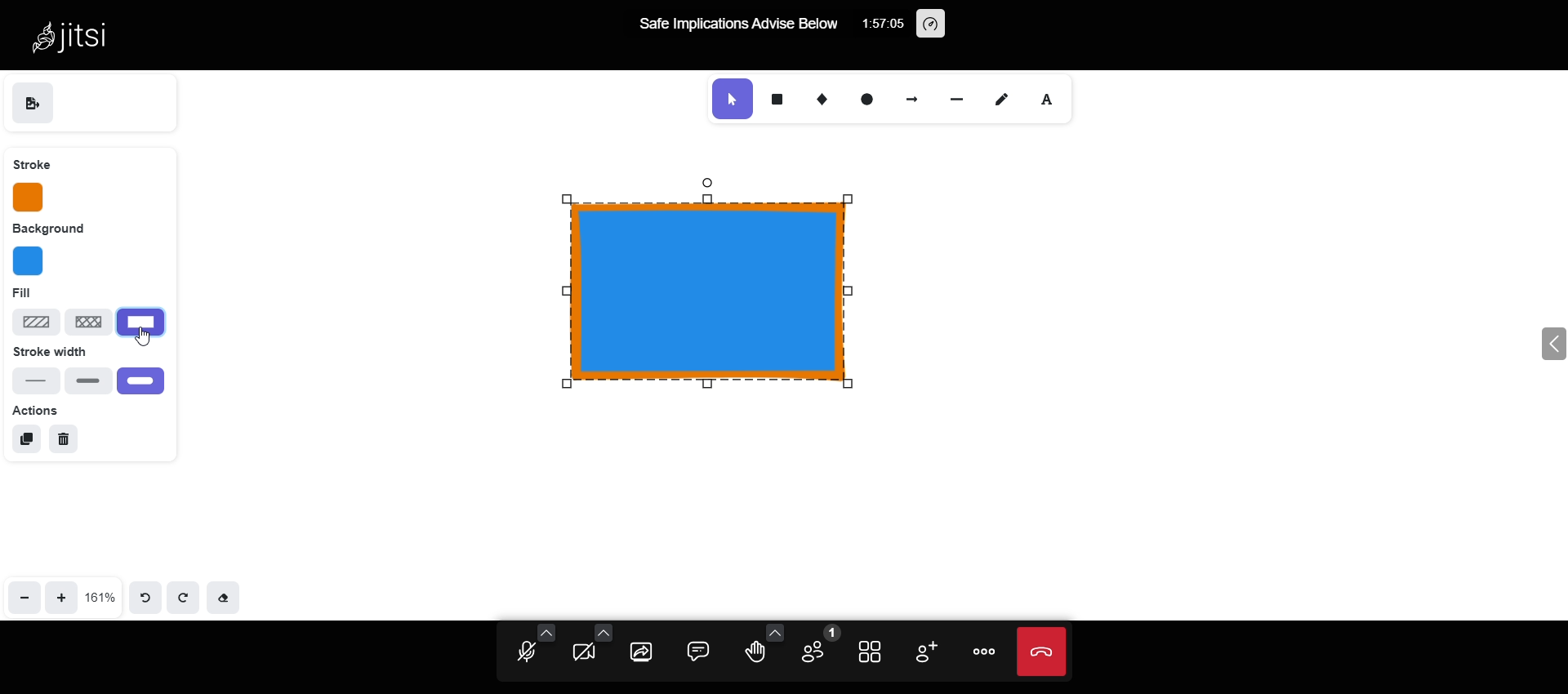  Describe the element at coordinates (29, 196) in the screenshot. I see `stroke color` at that location.